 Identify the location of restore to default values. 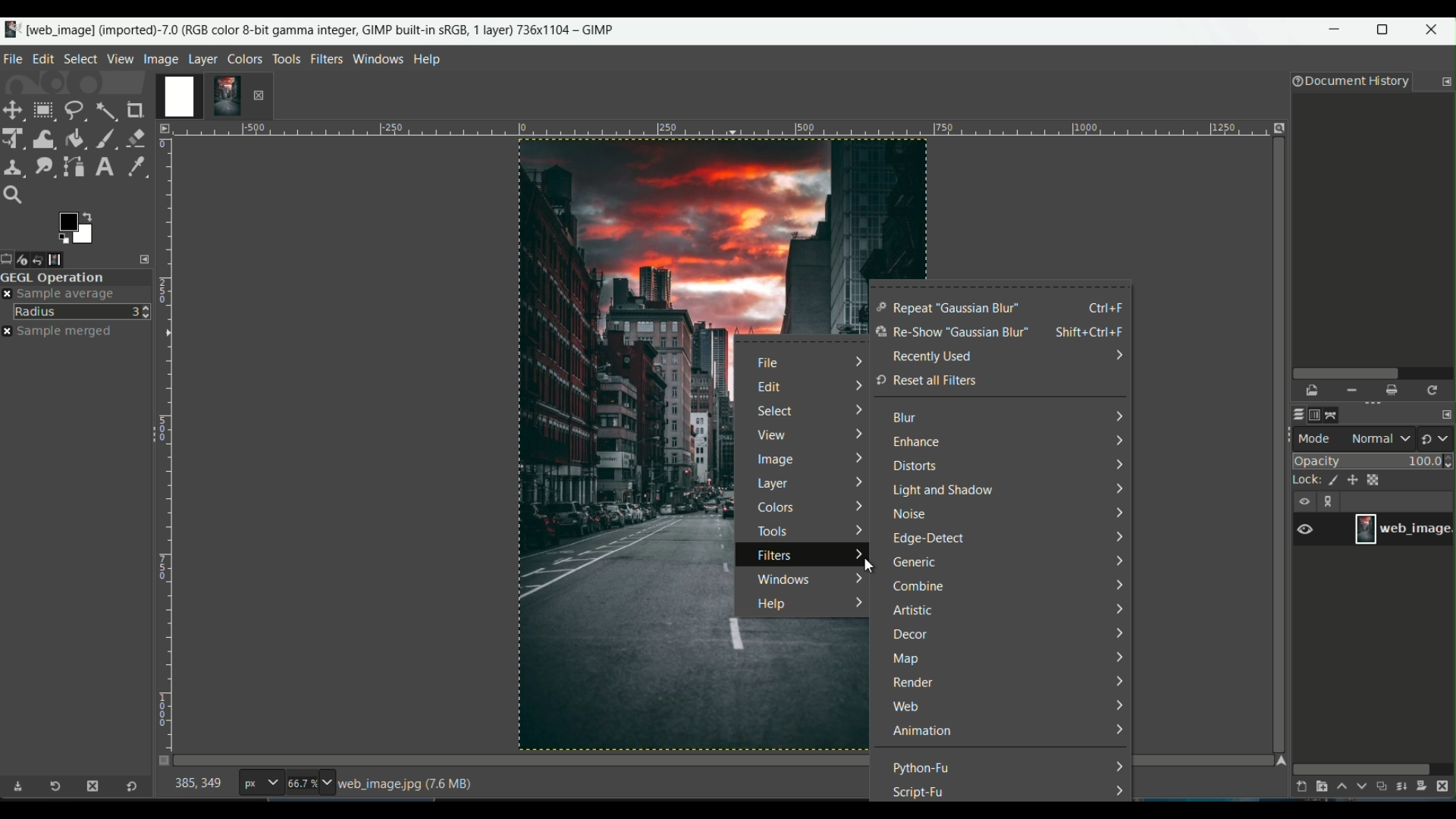
(128, 788).